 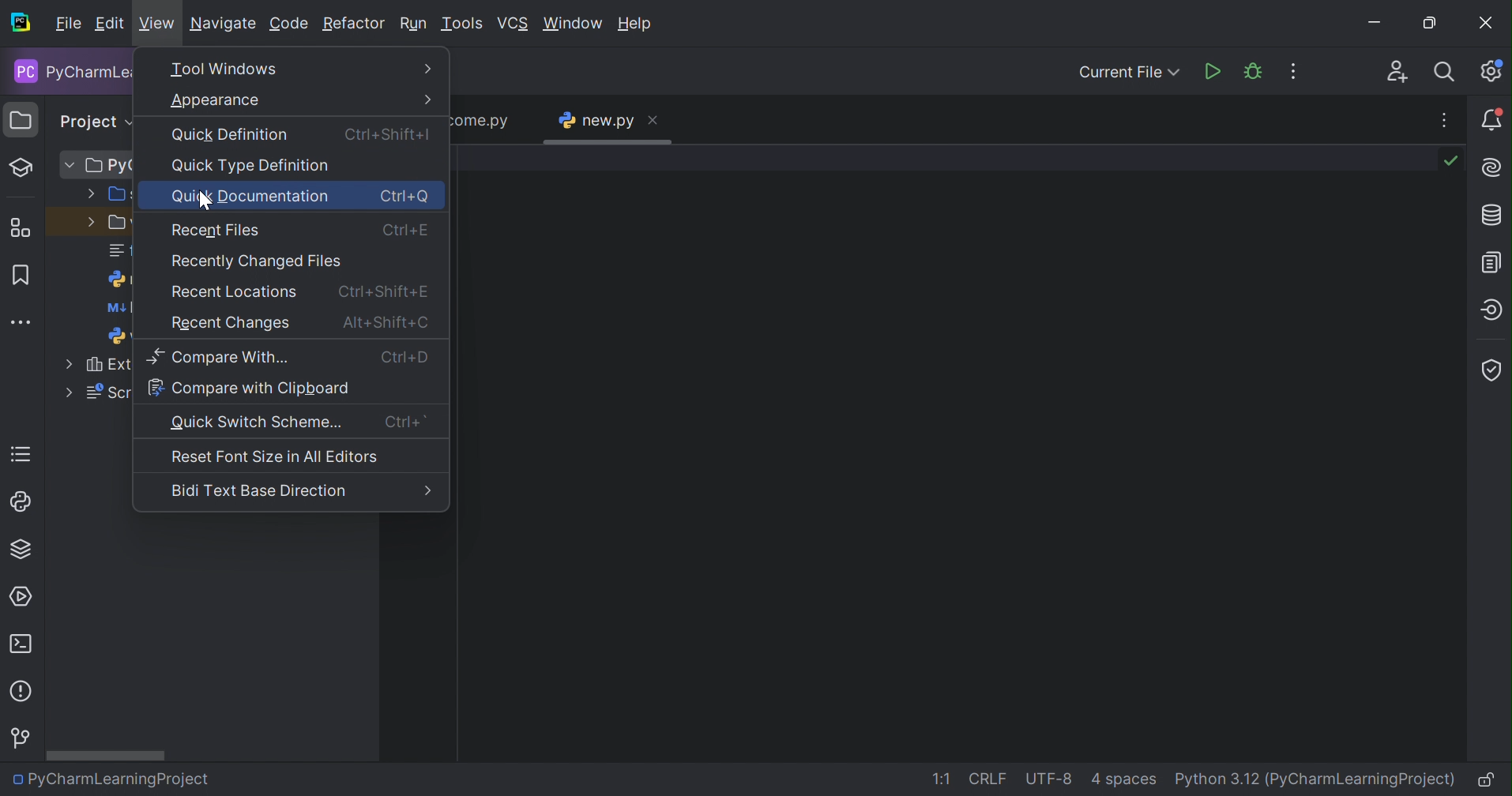 What do you see at coordinates (234, 323) in the screenshot?
I see `Recent Changes` at bounding box center [234, 323].